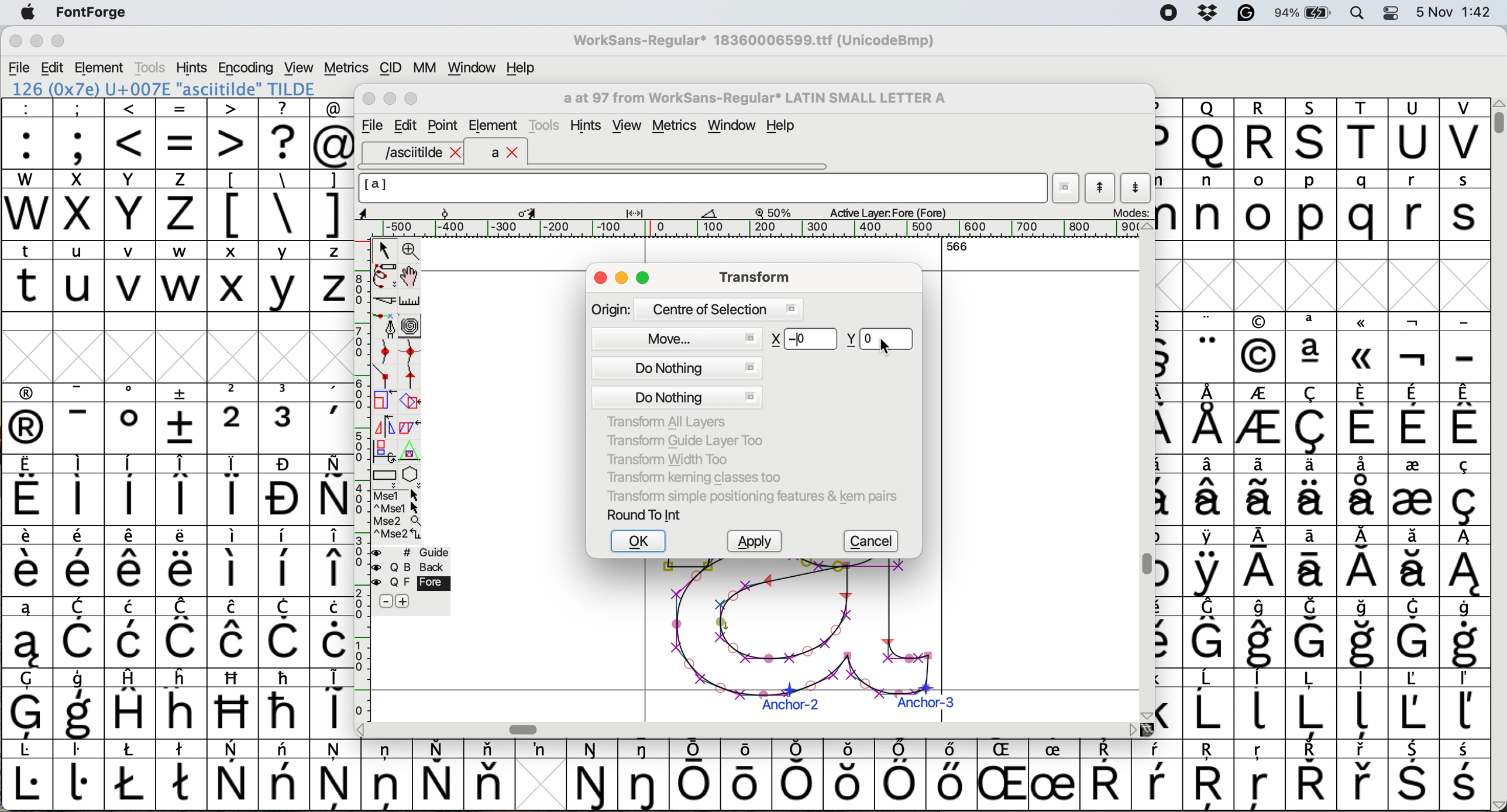  Describe the element at coordinates (29, 205) in the screenshot. I see `W` at that location.